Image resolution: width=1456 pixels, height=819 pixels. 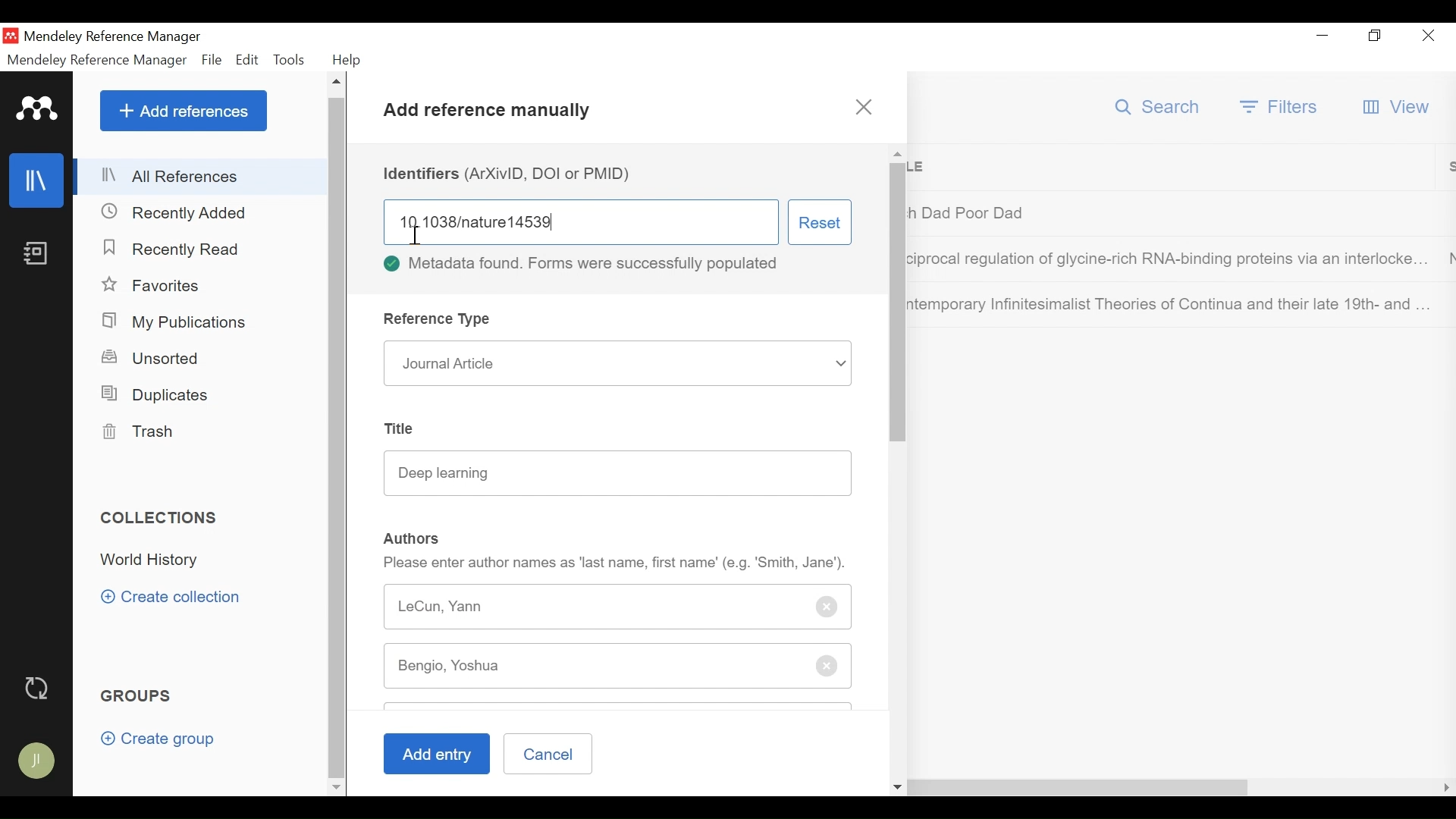 What do you see at coordinates (140, 696) in the screenshot?
I see `Groups` at bounding box center [140, 696].